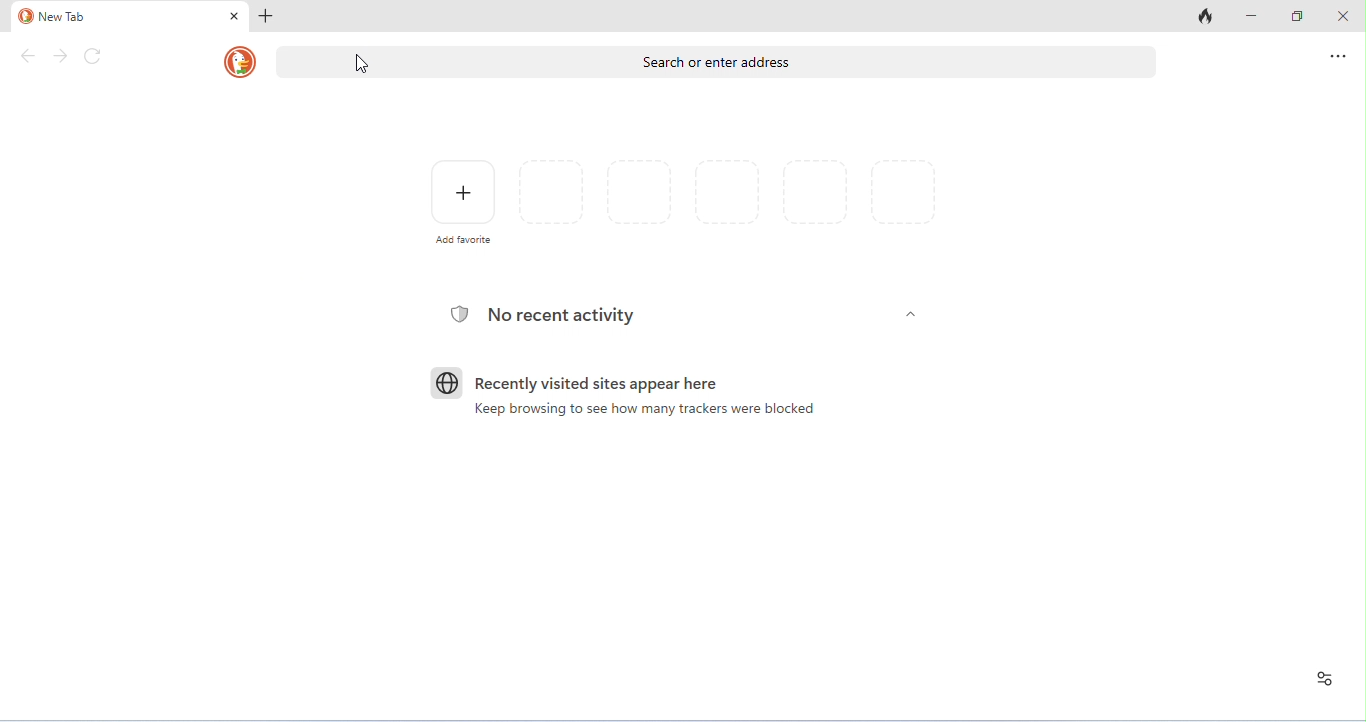 The height and width of the screenshot is (722, 1366). I want to click on recently visited sites appear here, so click(569, 379).